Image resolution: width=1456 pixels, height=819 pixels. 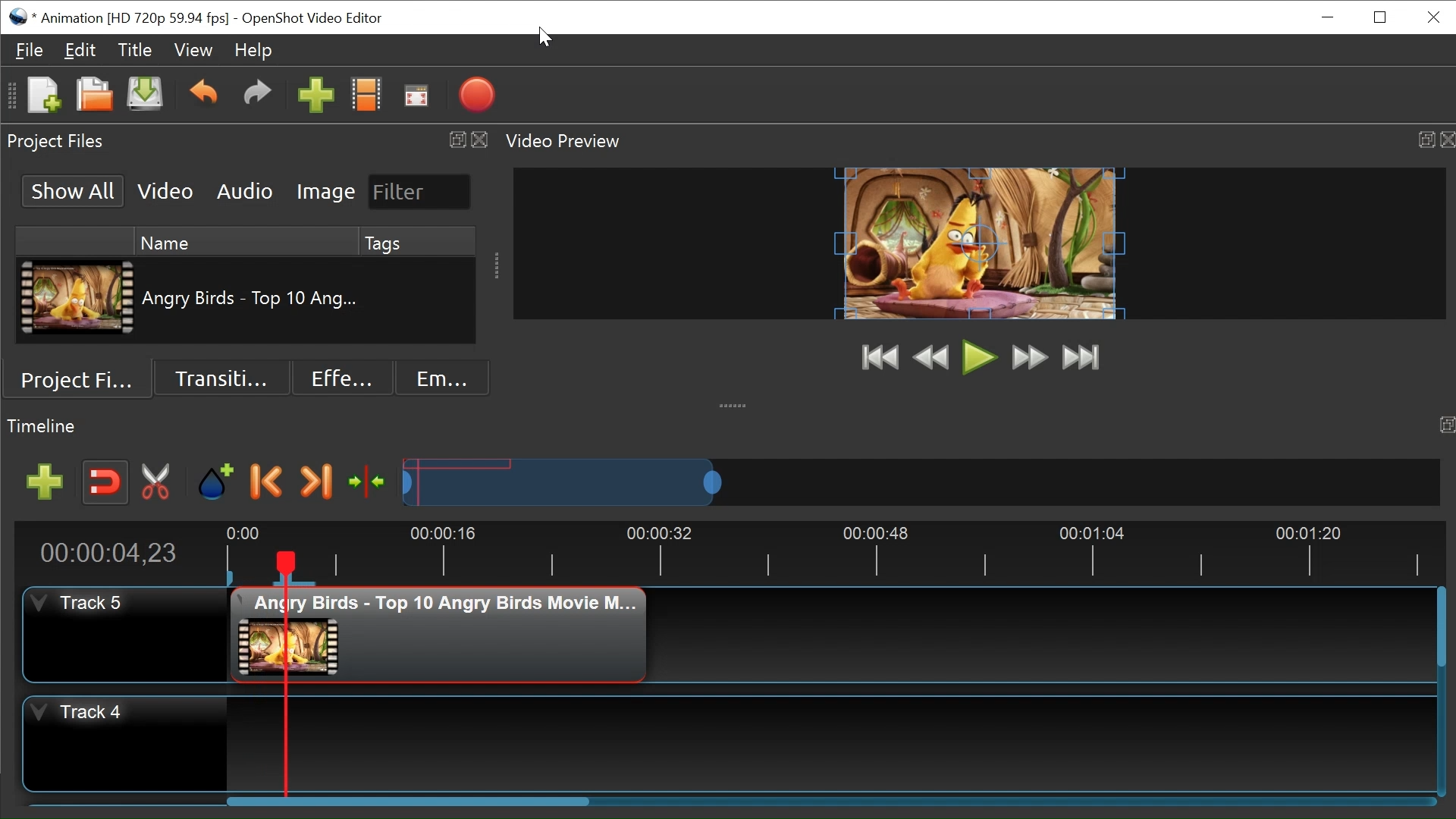 What do you see at coordinates (287, 579) in the screenshot?
I see `Marker` at bounding box center [287, 579].